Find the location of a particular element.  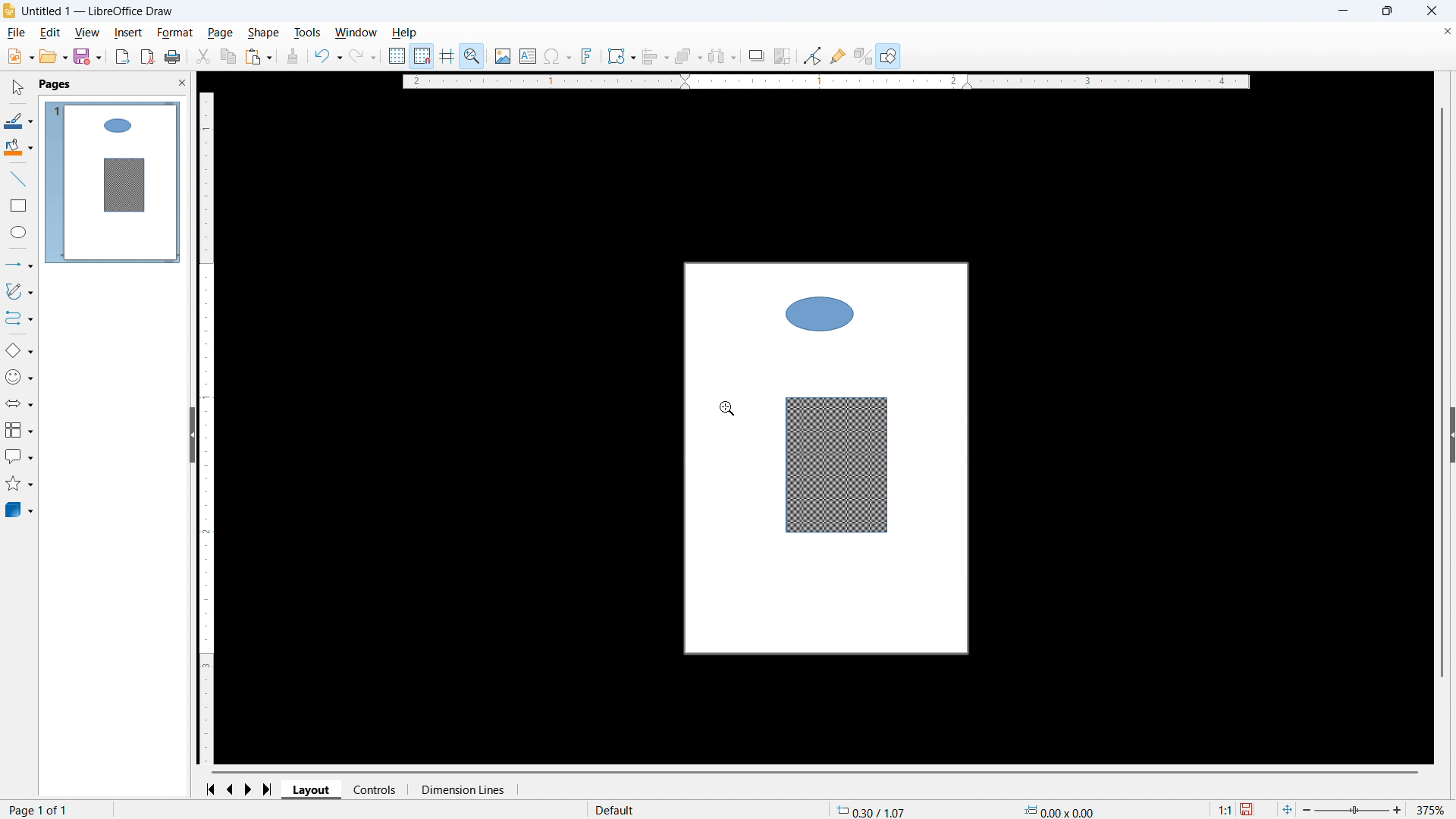

Horizontal ruler  is located at coordinates (826, 80).